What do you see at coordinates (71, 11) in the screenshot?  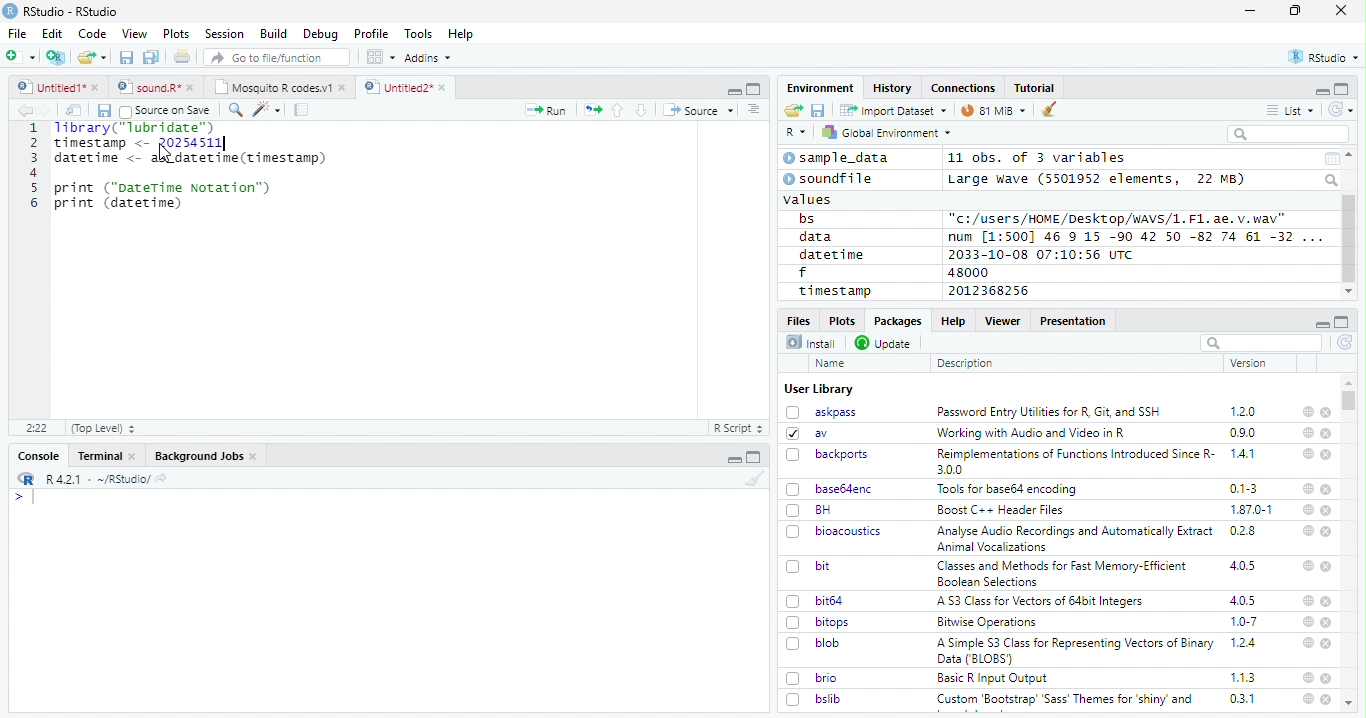 I see `RStudio - RStudio` at bounding box center [71, 11].